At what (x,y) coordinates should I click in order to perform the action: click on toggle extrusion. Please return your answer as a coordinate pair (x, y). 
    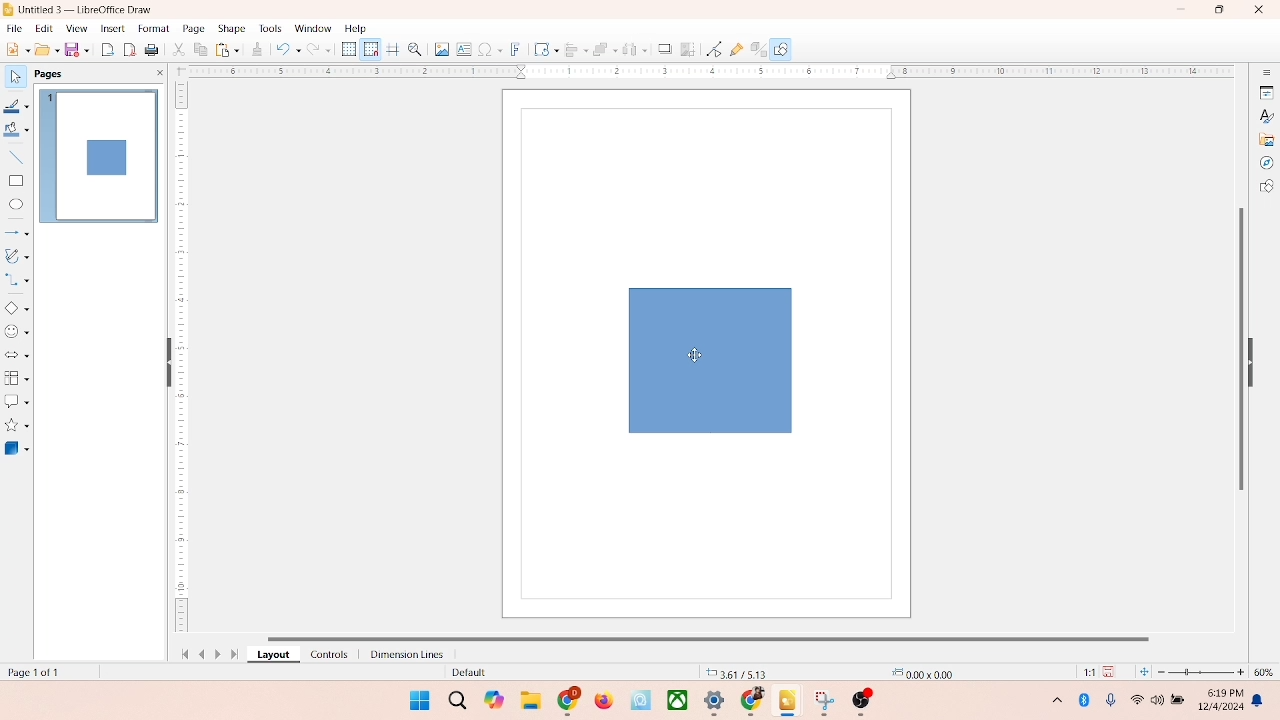
    Looking at the image, I should click on (753, 50).